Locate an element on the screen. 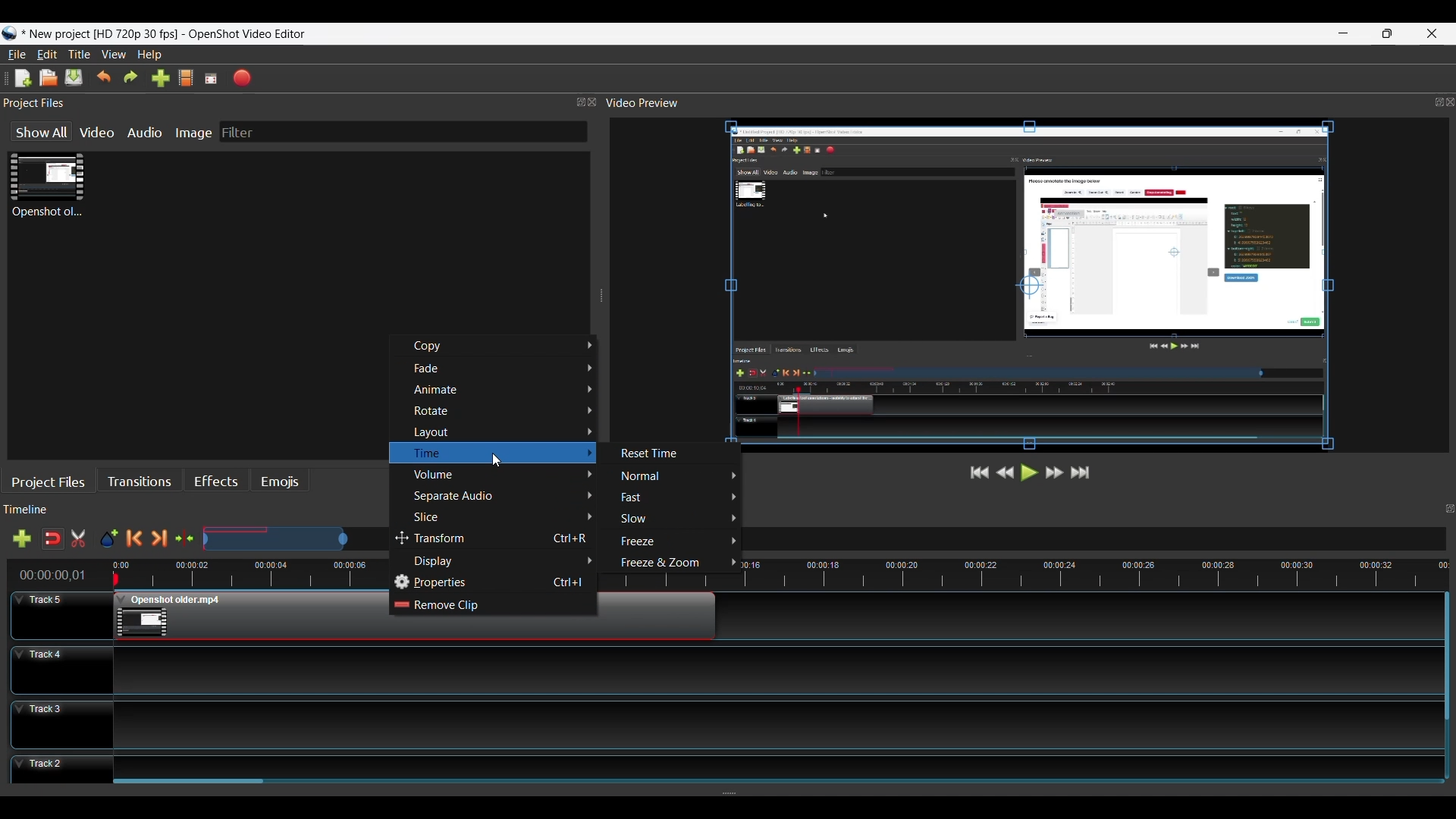  Undo is located at coordinates (104, 78).